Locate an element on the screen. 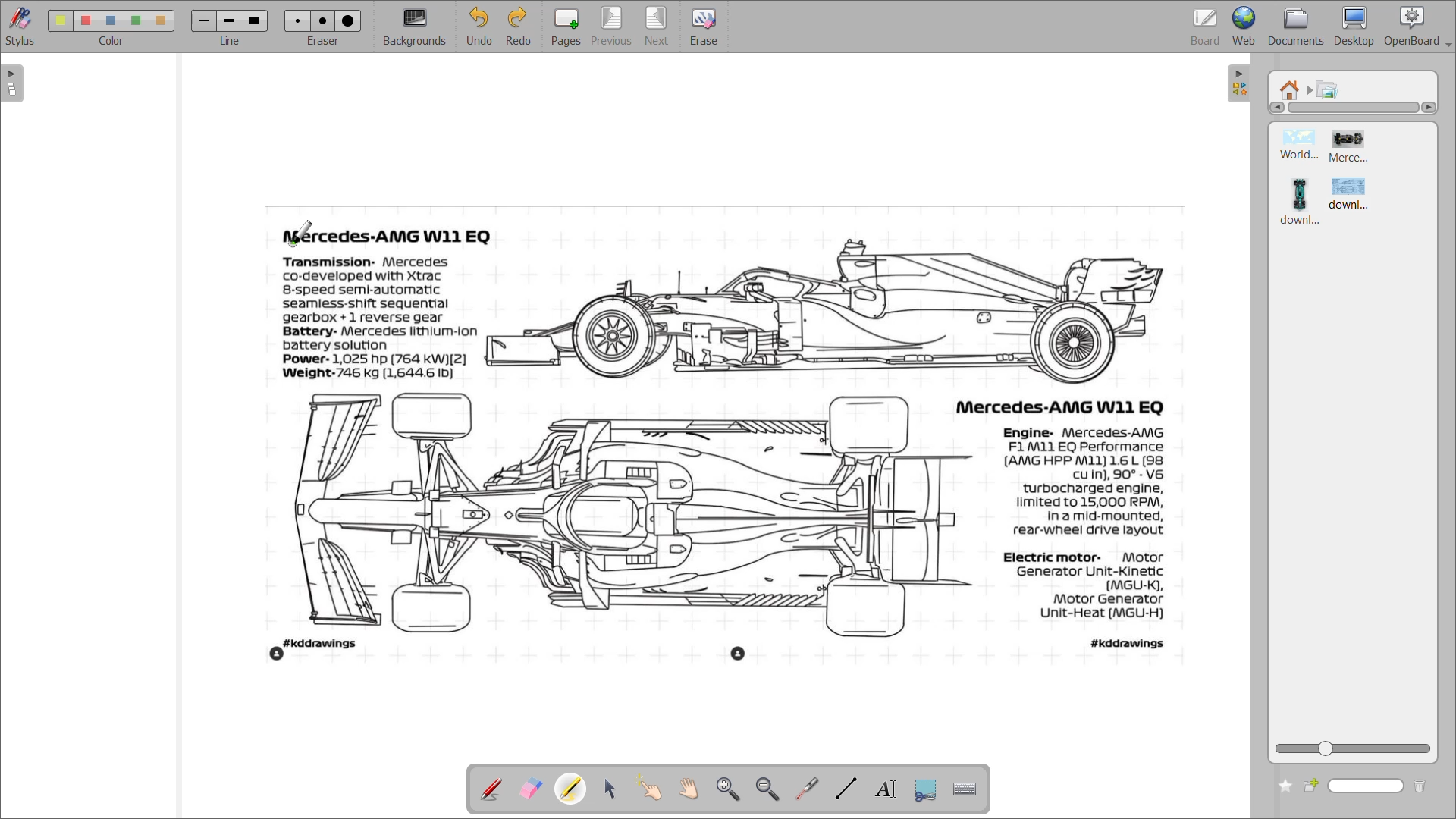 The image size is (1456, 819). redo is located at coordinates (522, 27).